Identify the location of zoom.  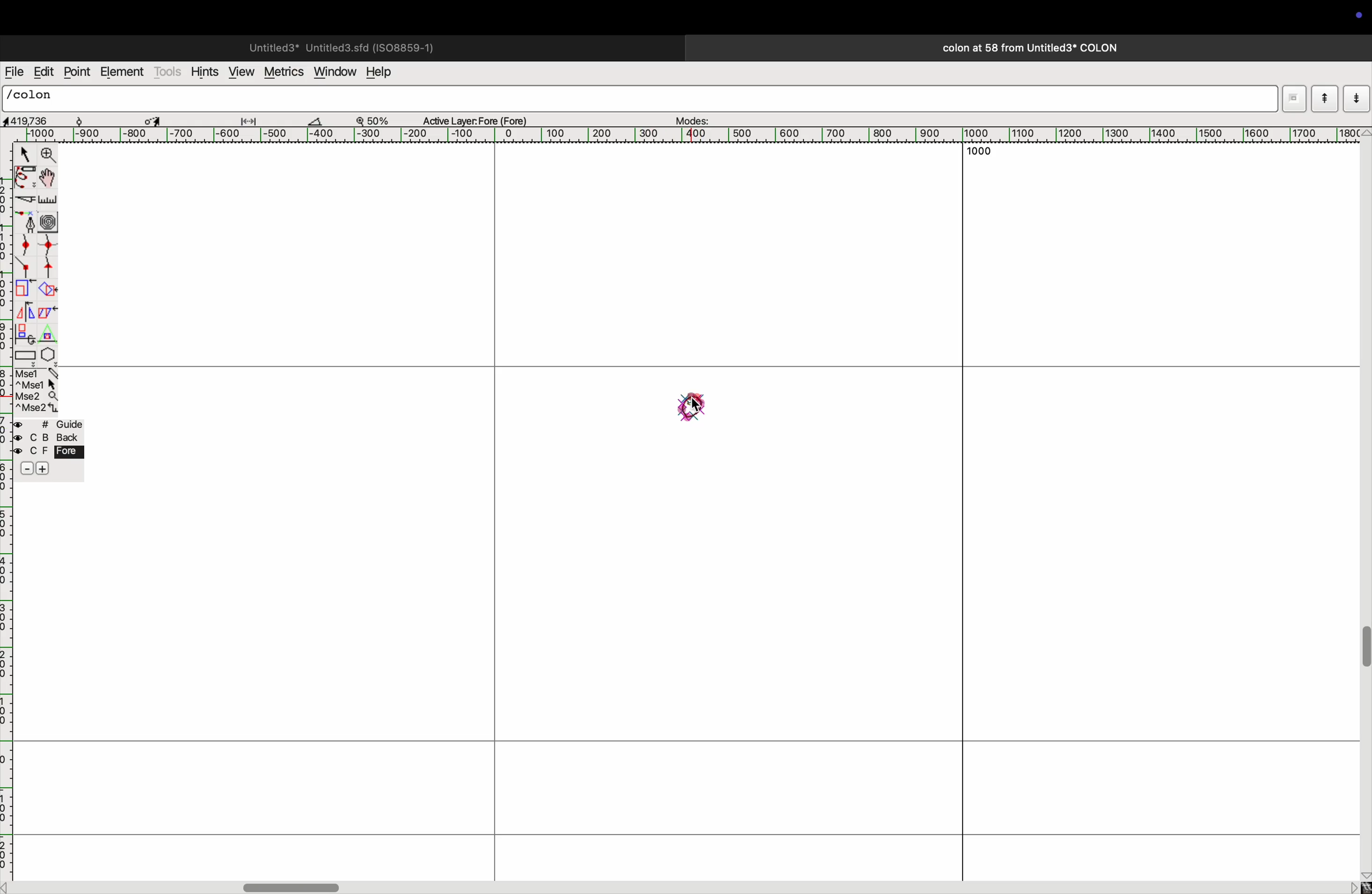
(49, 155).